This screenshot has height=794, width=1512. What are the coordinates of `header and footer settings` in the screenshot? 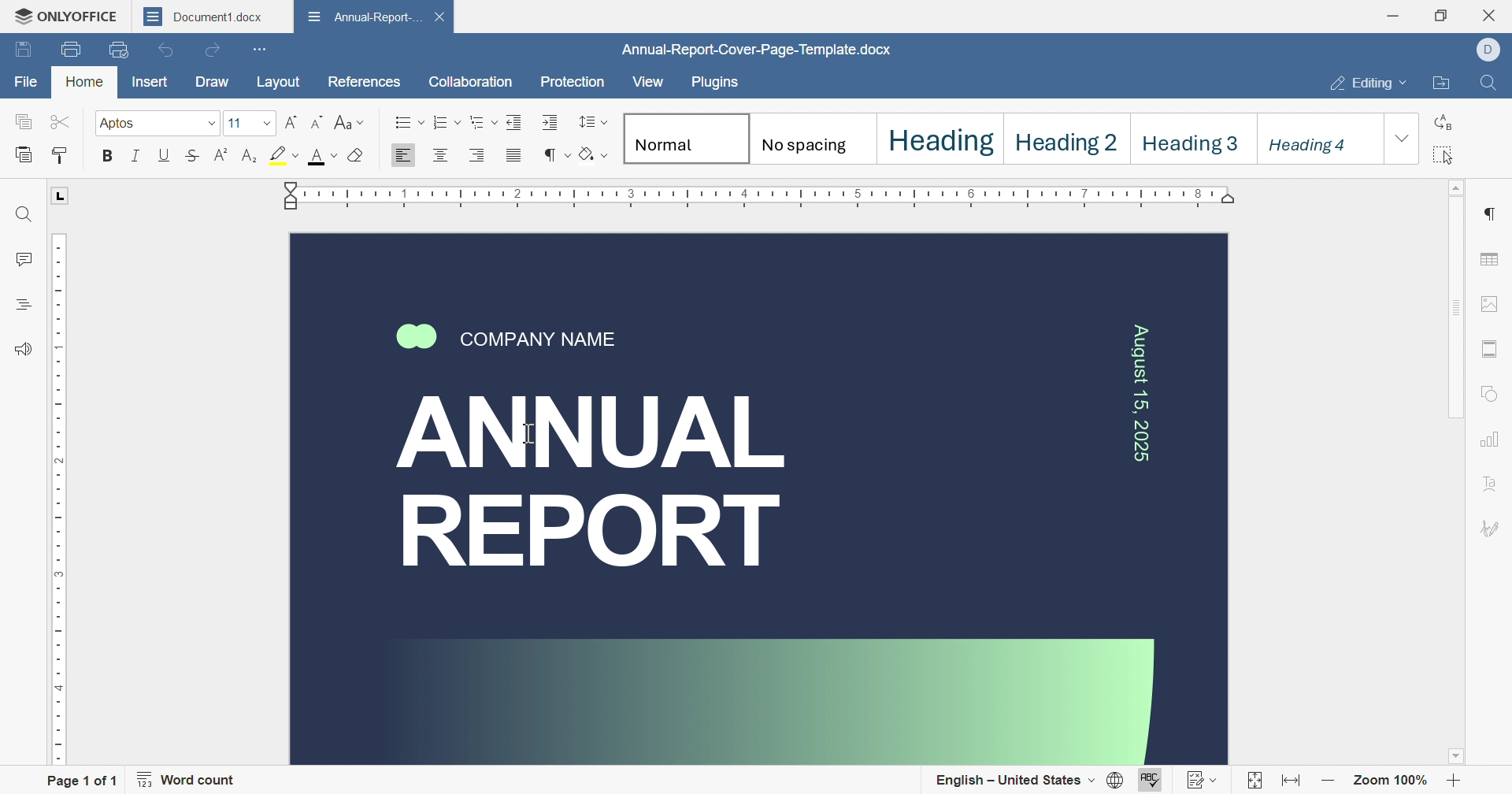 It's located at (1488, 347).